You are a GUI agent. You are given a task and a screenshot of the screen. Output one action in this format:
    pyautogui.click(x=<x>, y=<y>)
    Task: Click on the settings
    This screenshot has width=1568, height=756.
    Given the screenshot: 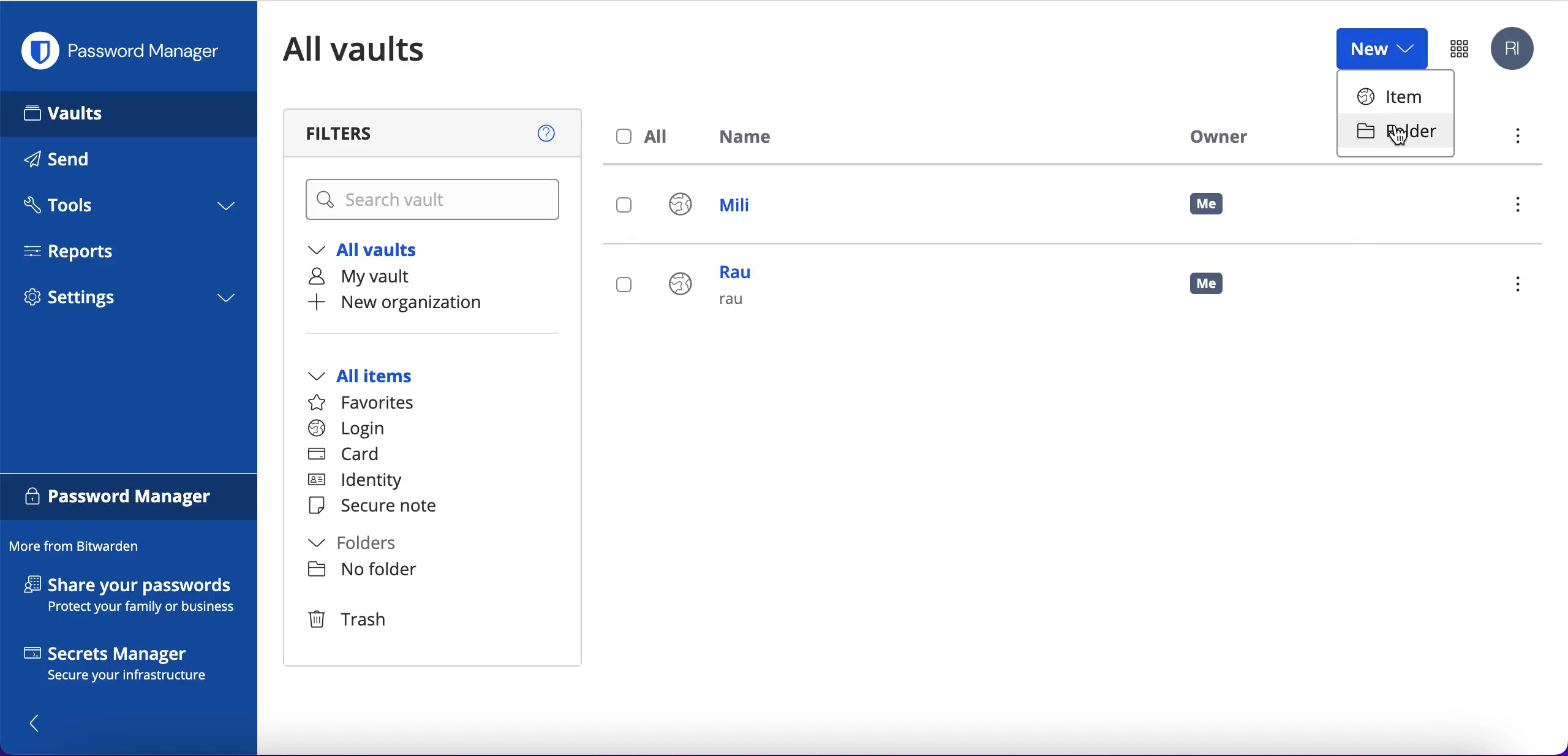 What is the action you would take?
    pyautogui.click(x=129, y=301)
    